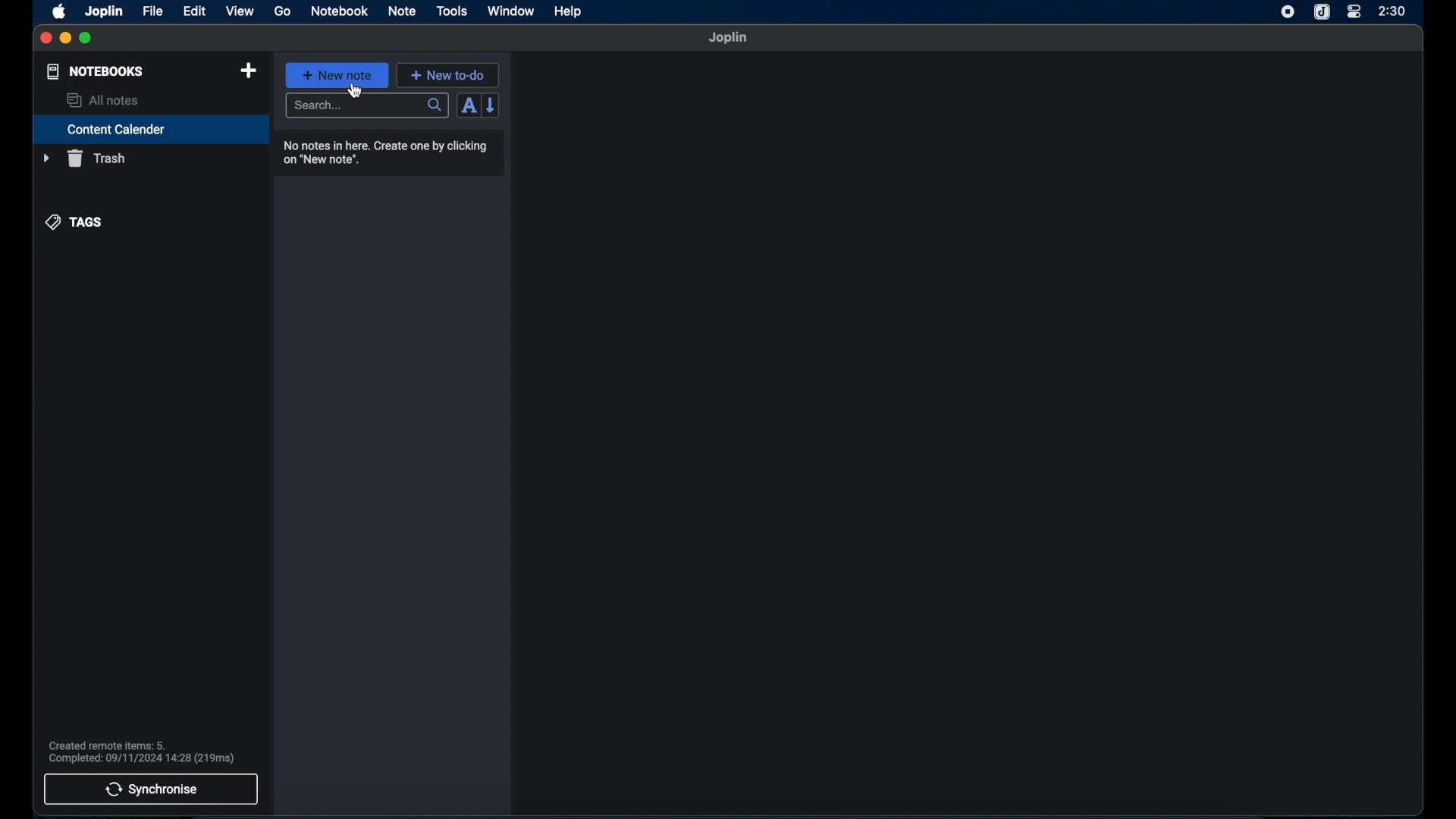 The width and height of the screenshot is (1456, 819). I want to click on all notes, so click(104, 100).